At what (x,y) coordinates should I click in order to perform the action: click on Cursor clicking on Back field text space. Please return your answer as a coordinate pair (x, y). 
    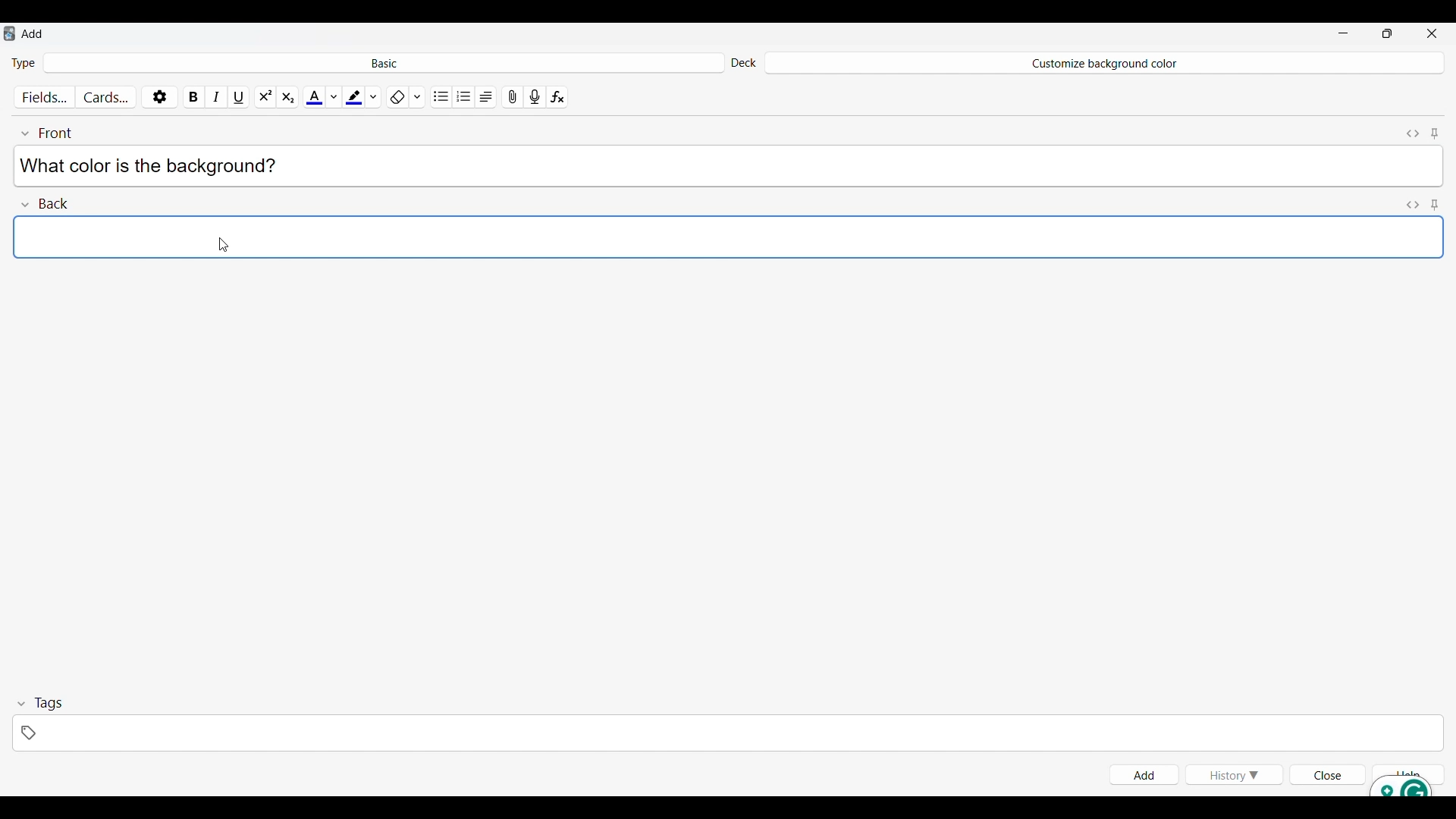
    Looking at the image, I should click on (224, 246).